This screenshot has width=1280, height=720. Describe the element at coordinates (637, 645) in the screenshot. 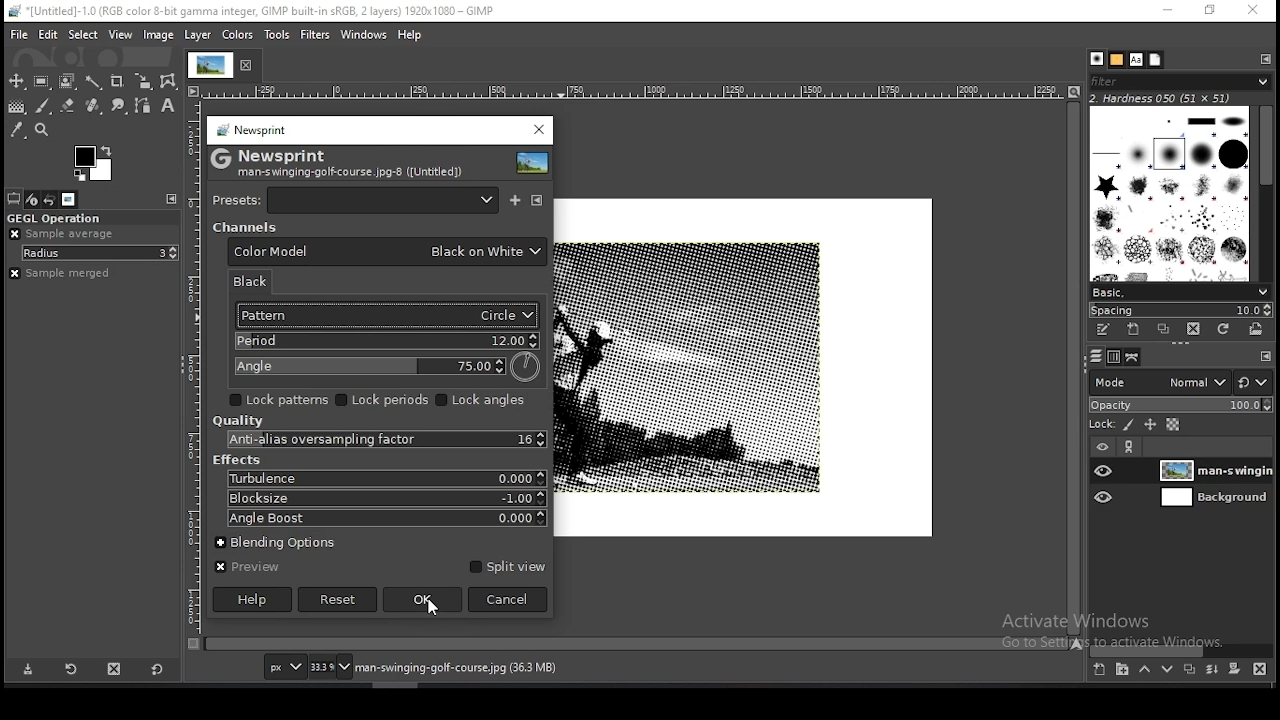

I see `scroll bar` at that location.